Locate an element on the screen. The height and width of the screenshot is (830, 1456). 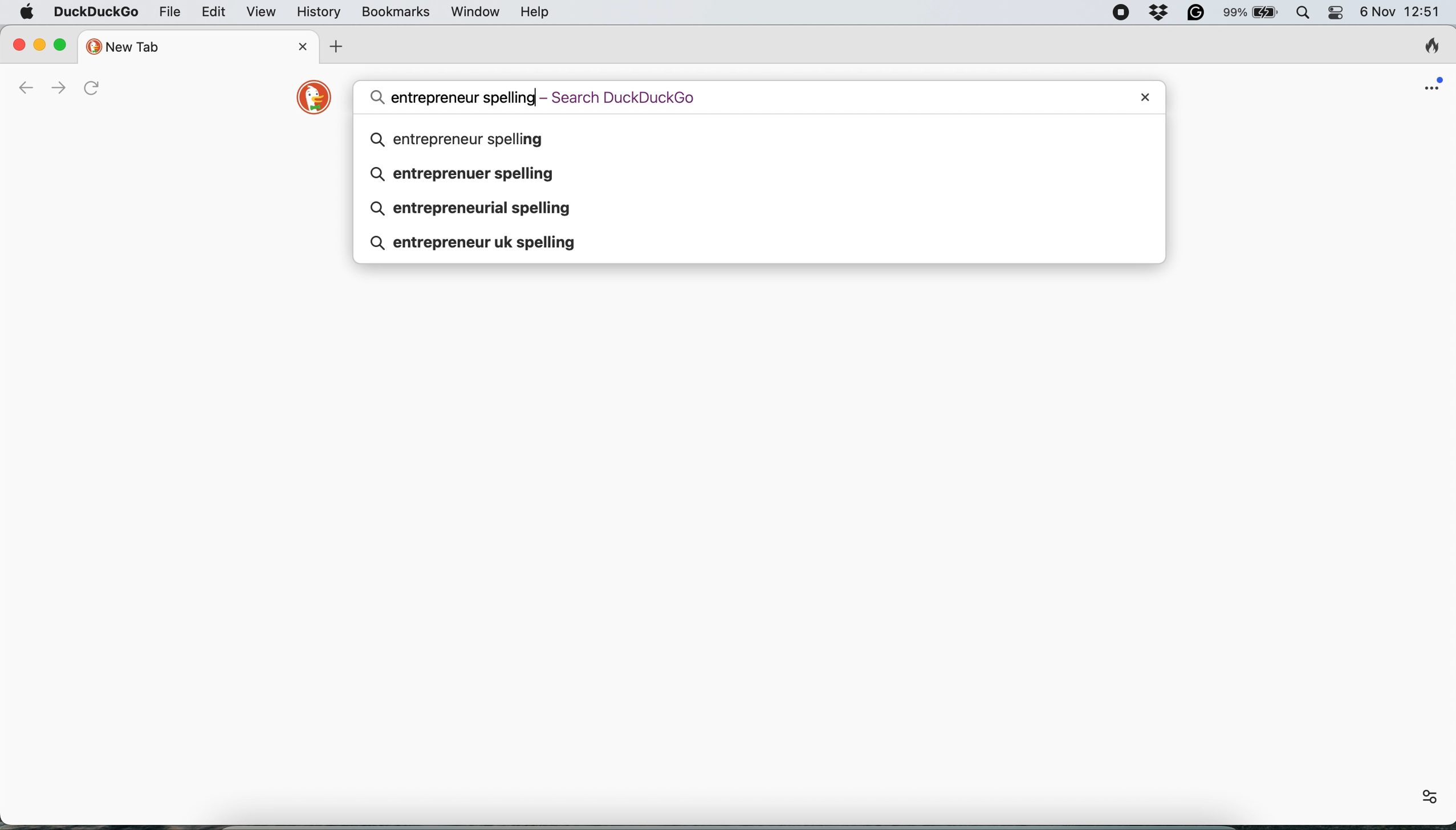
view is located at coordinates (257, 14).